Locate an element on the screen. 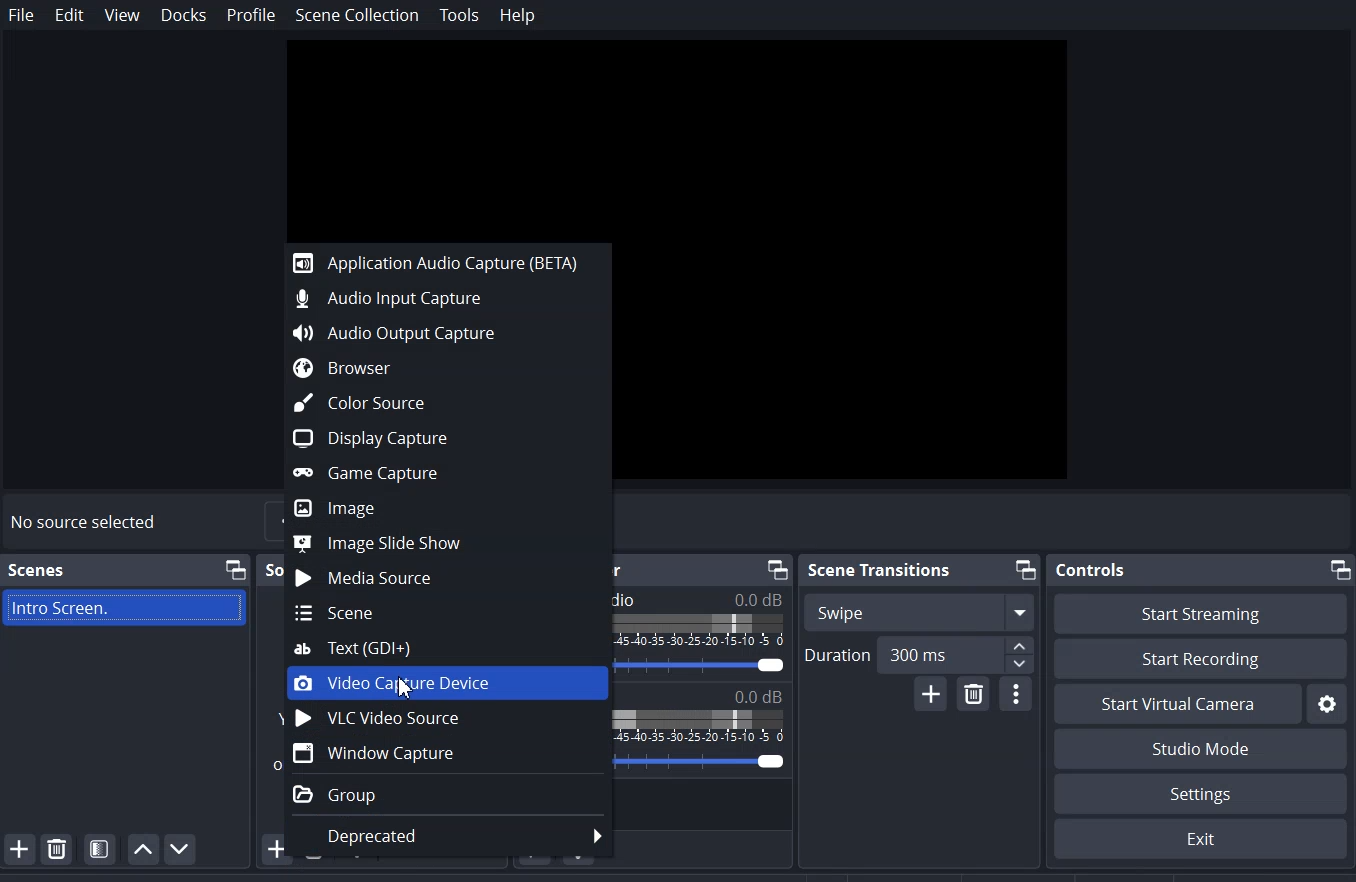 The height and width of the screenshot is (882, 1356). Scene is located at coordinates (436, 614).